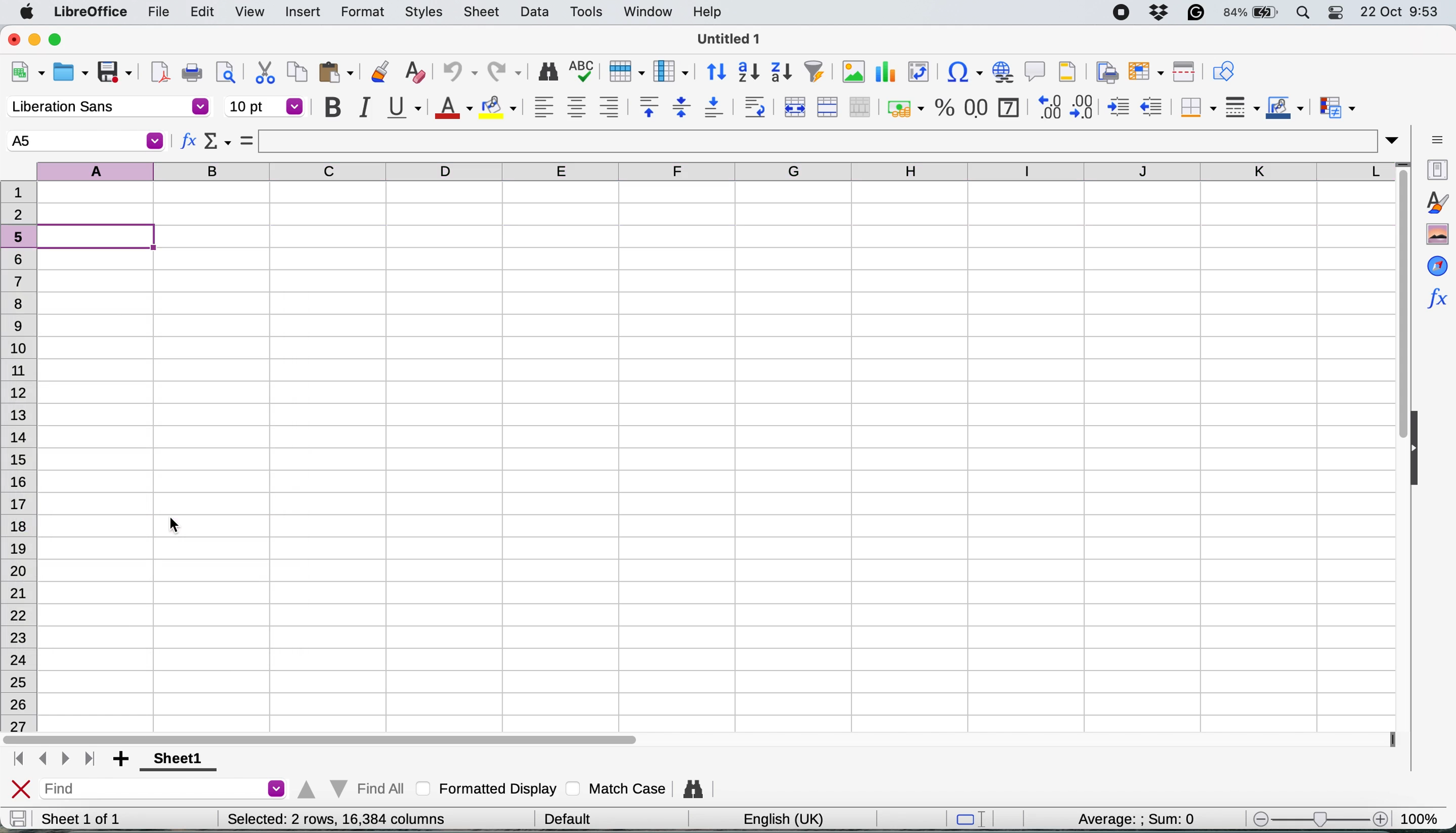  Describe the element at coordinates (1336, 109) in the screenshot. I see `conditional` at that location.